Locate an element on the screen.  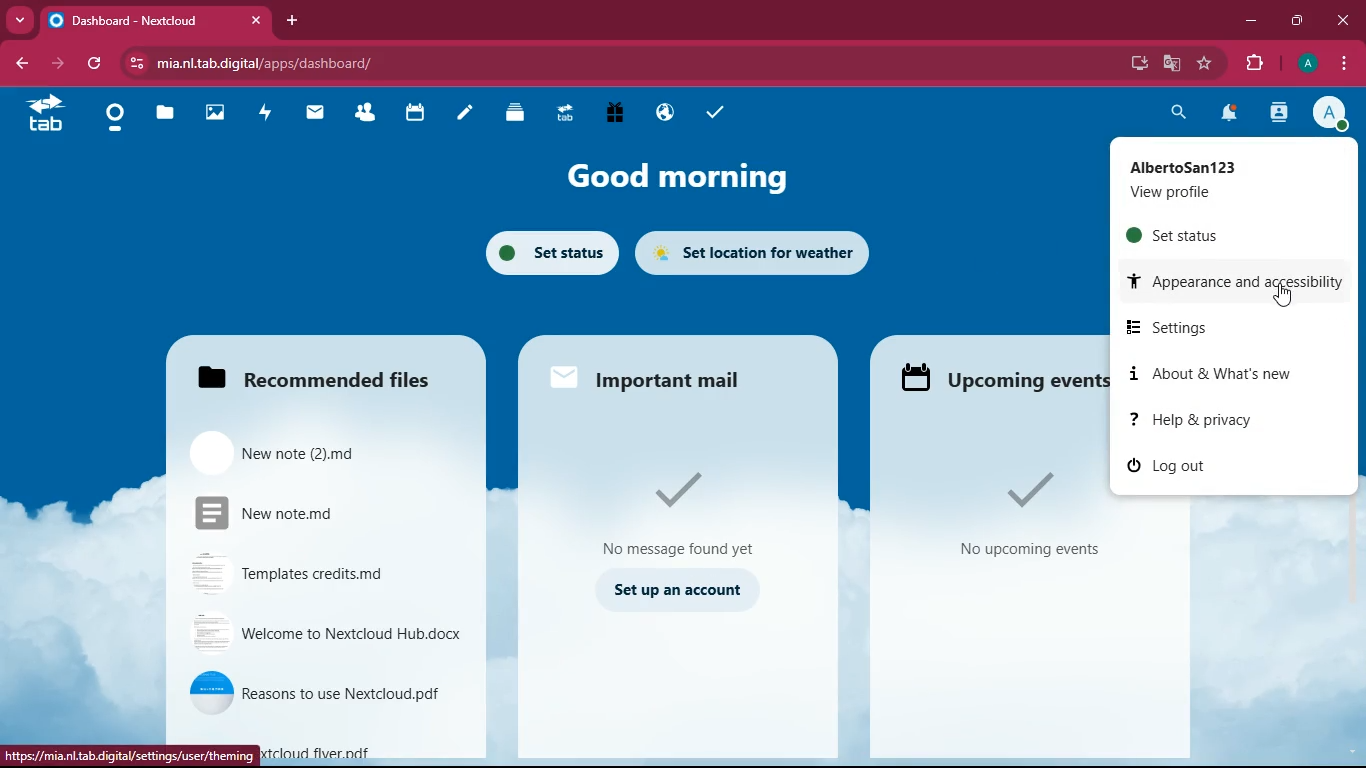
dashboard-nextcloud is located at coordinates (159, 21).